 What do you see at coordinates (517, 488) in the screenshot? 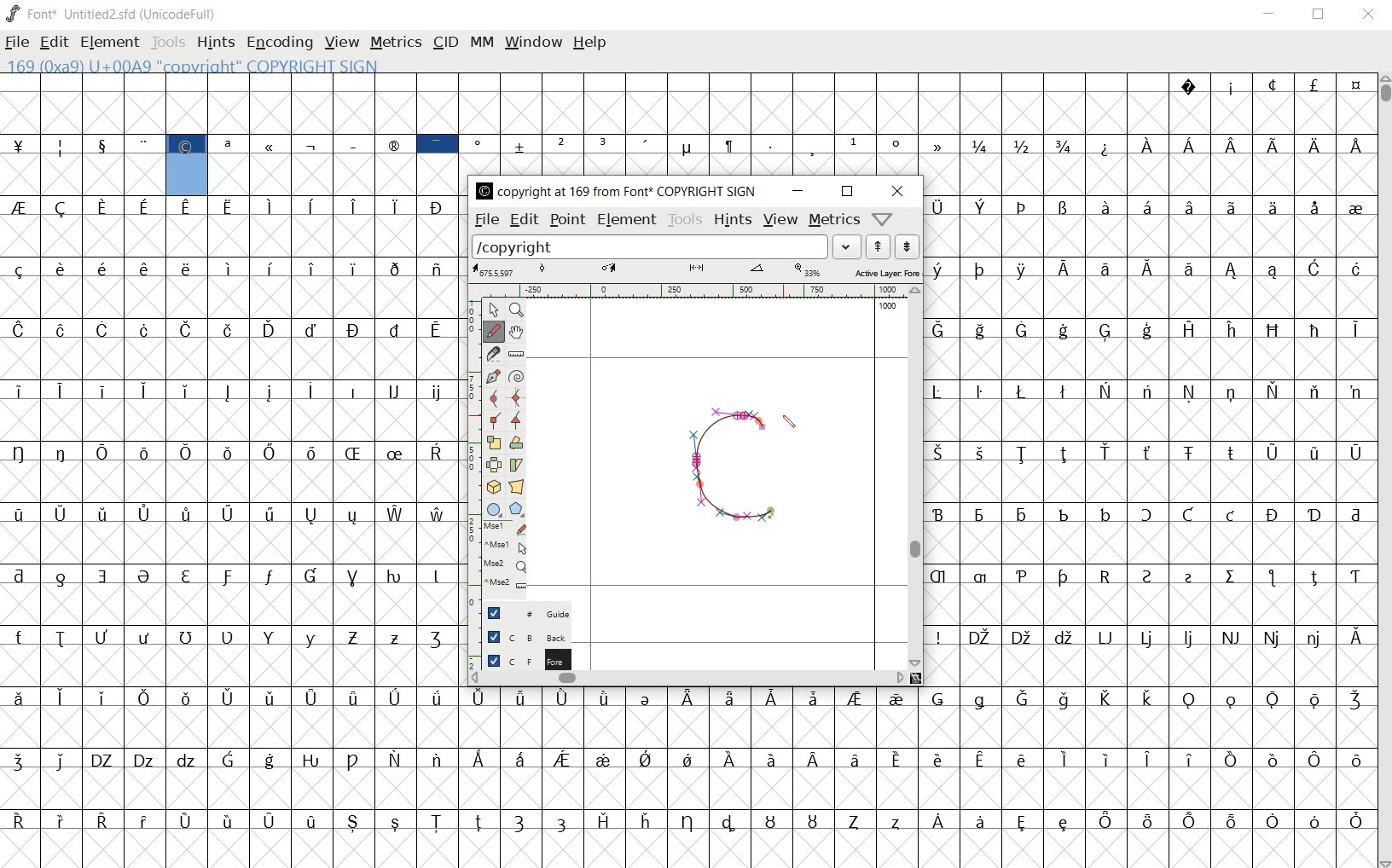
I see `perform a perspective transformation on the selection` at bounding box center [517, 488].